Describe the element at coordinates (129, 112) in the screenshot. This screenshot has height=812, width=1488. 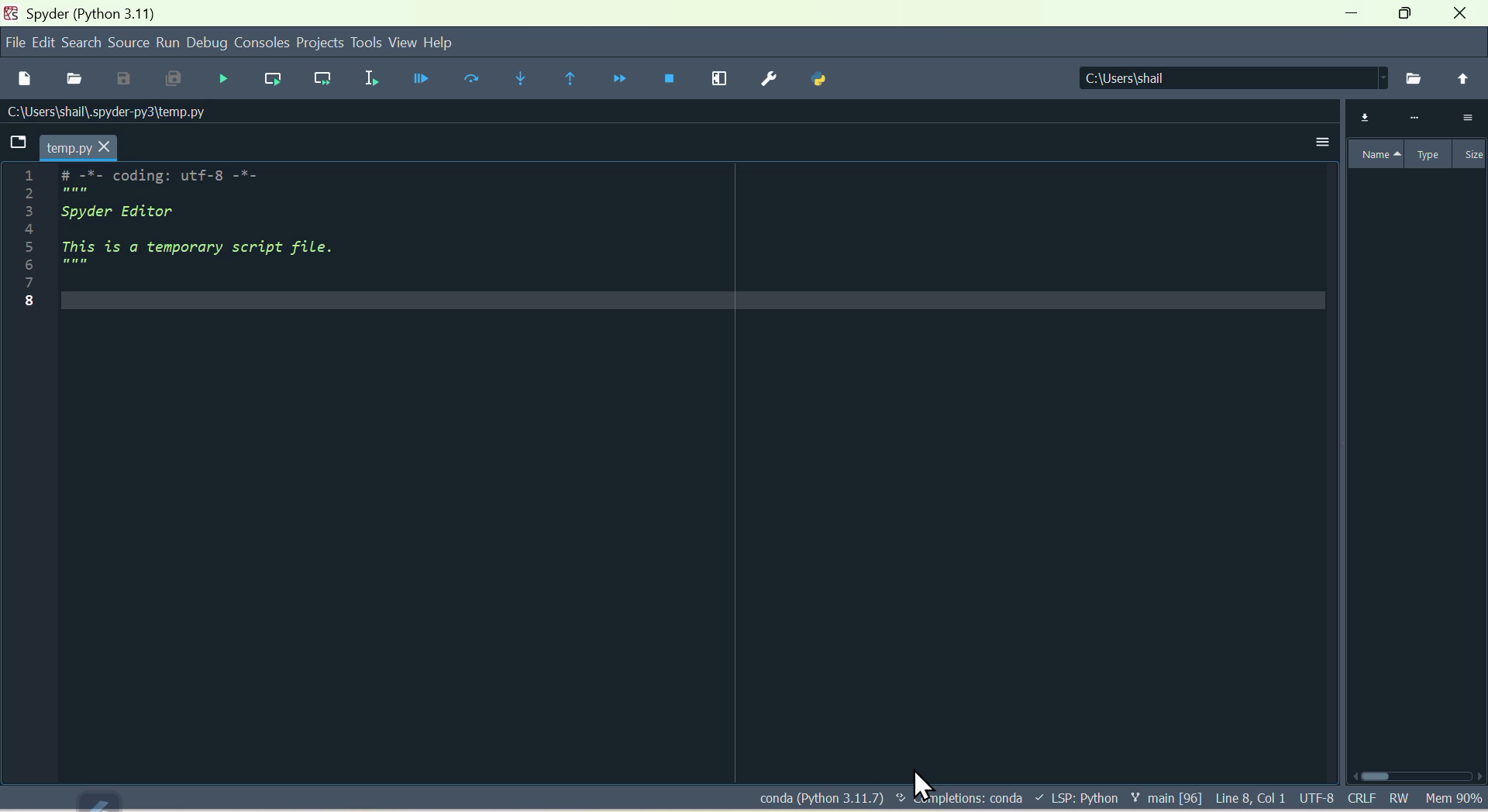
I see `Location of the file - C:\Users\shail\.spyder-py3\temp.py` at that location.